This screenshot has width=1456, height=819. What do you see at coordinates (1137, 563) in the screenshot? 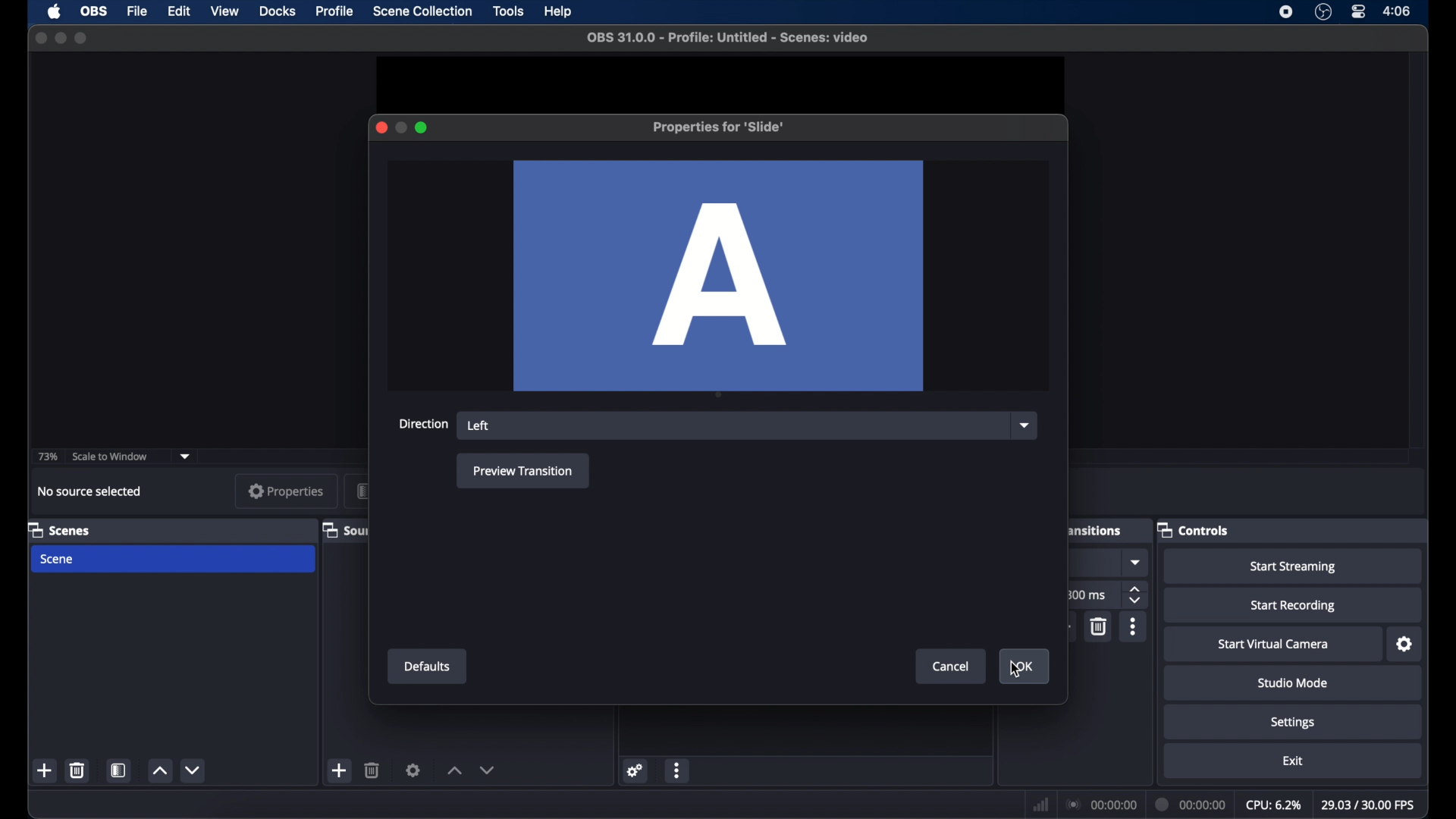
I see `dropdown` at bounding box center [1137, 563].